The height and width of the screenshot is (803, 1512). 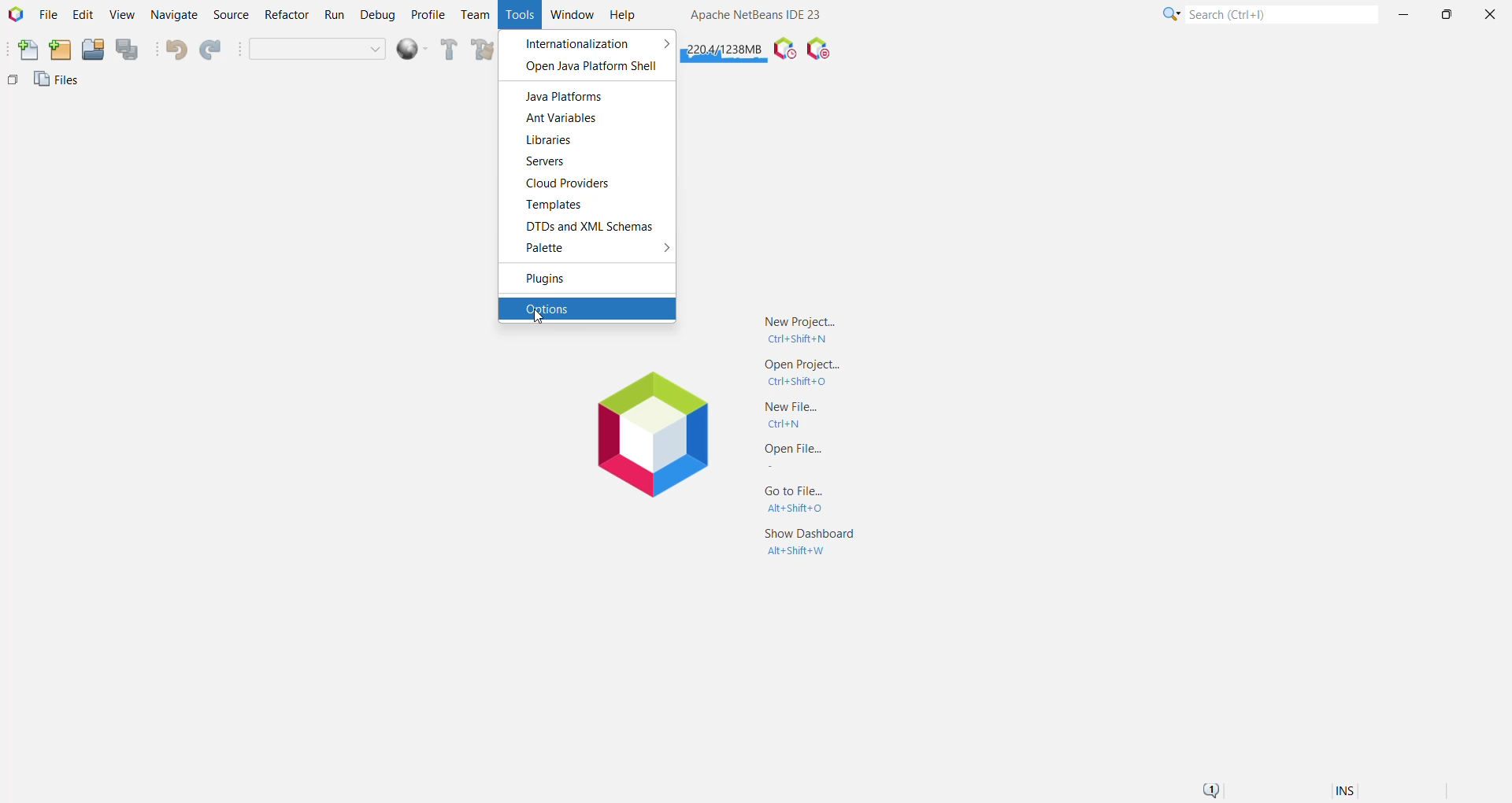 I want to click on File, so click(x=48, y=15).